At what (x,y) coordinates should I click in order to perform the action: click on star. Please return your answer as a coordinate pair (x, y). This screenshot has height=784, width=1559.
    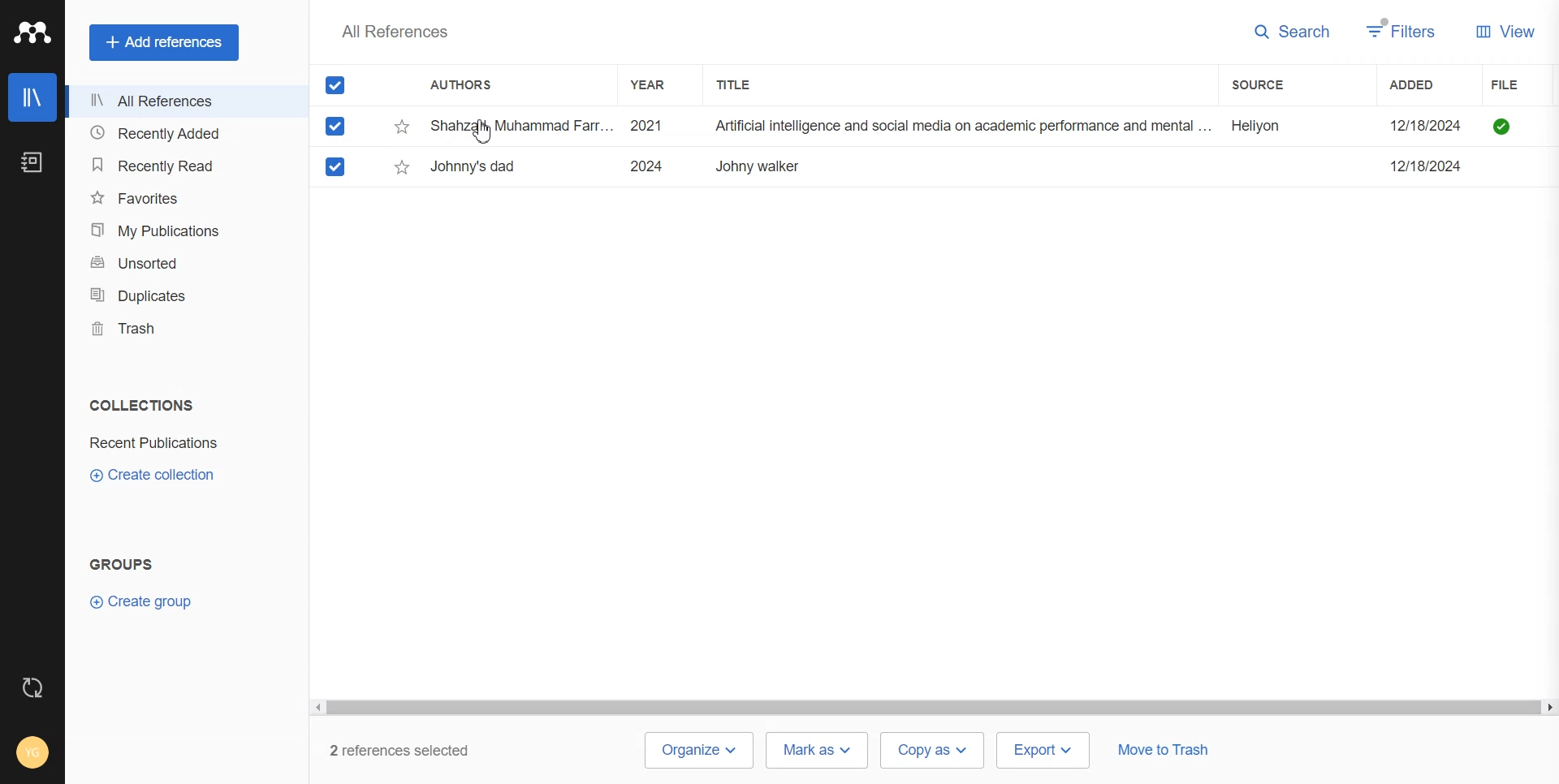
    Looking at the image, I should click on (402, 167).